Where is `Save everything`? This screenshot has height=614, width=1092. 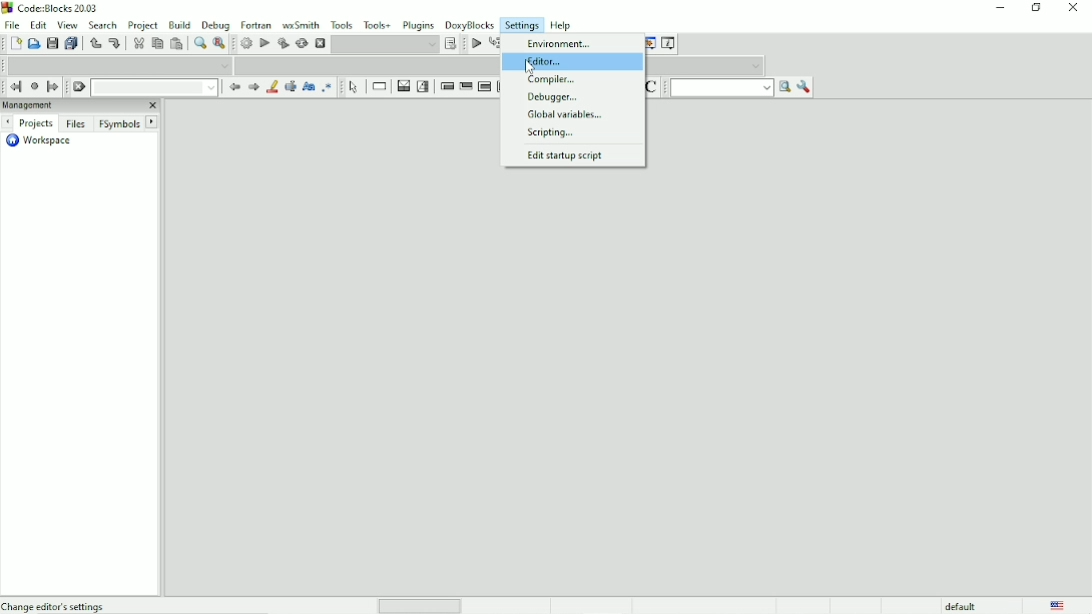
Save everything is located at coordinates (70, 43).